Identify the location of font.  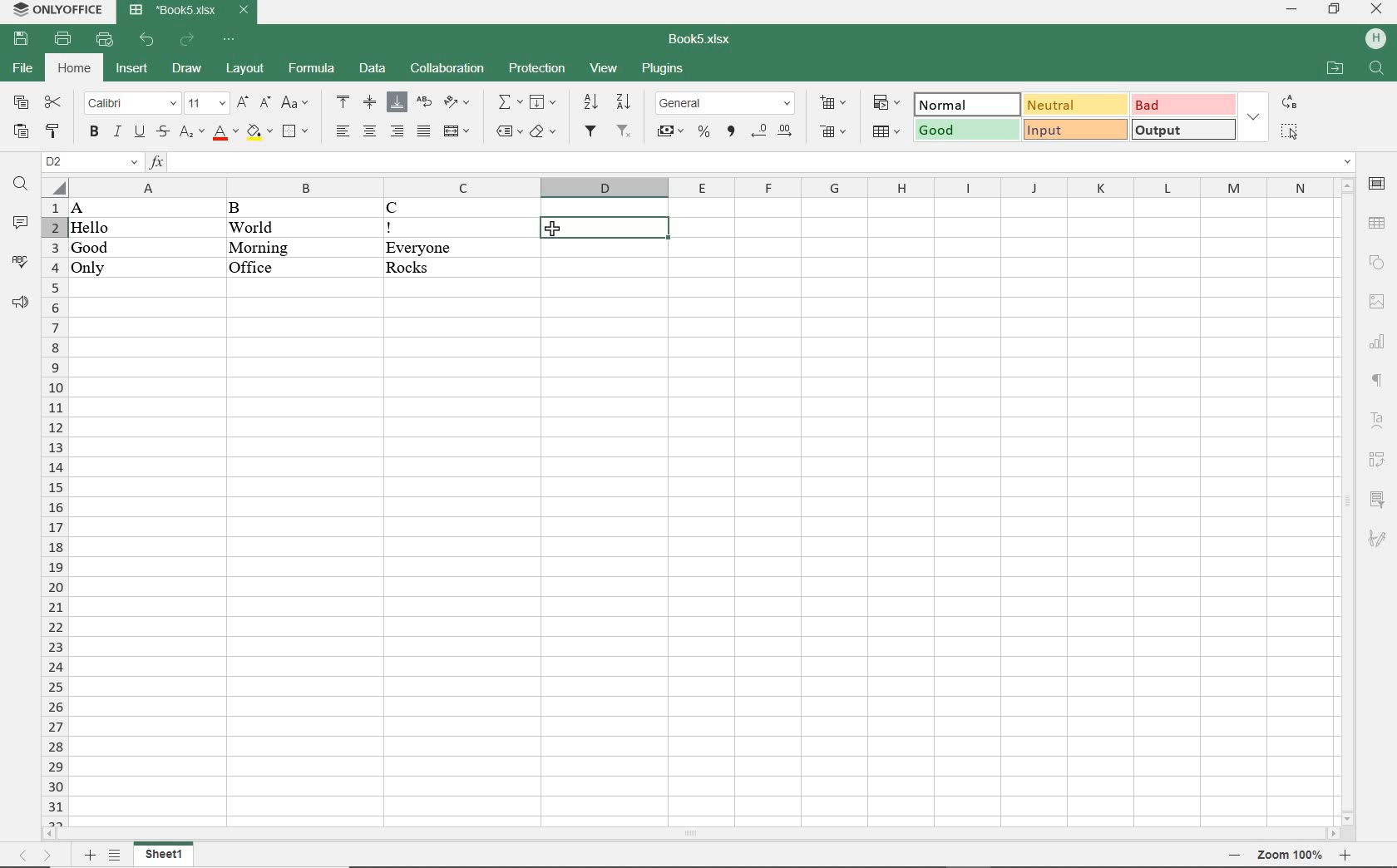
(130, 104).